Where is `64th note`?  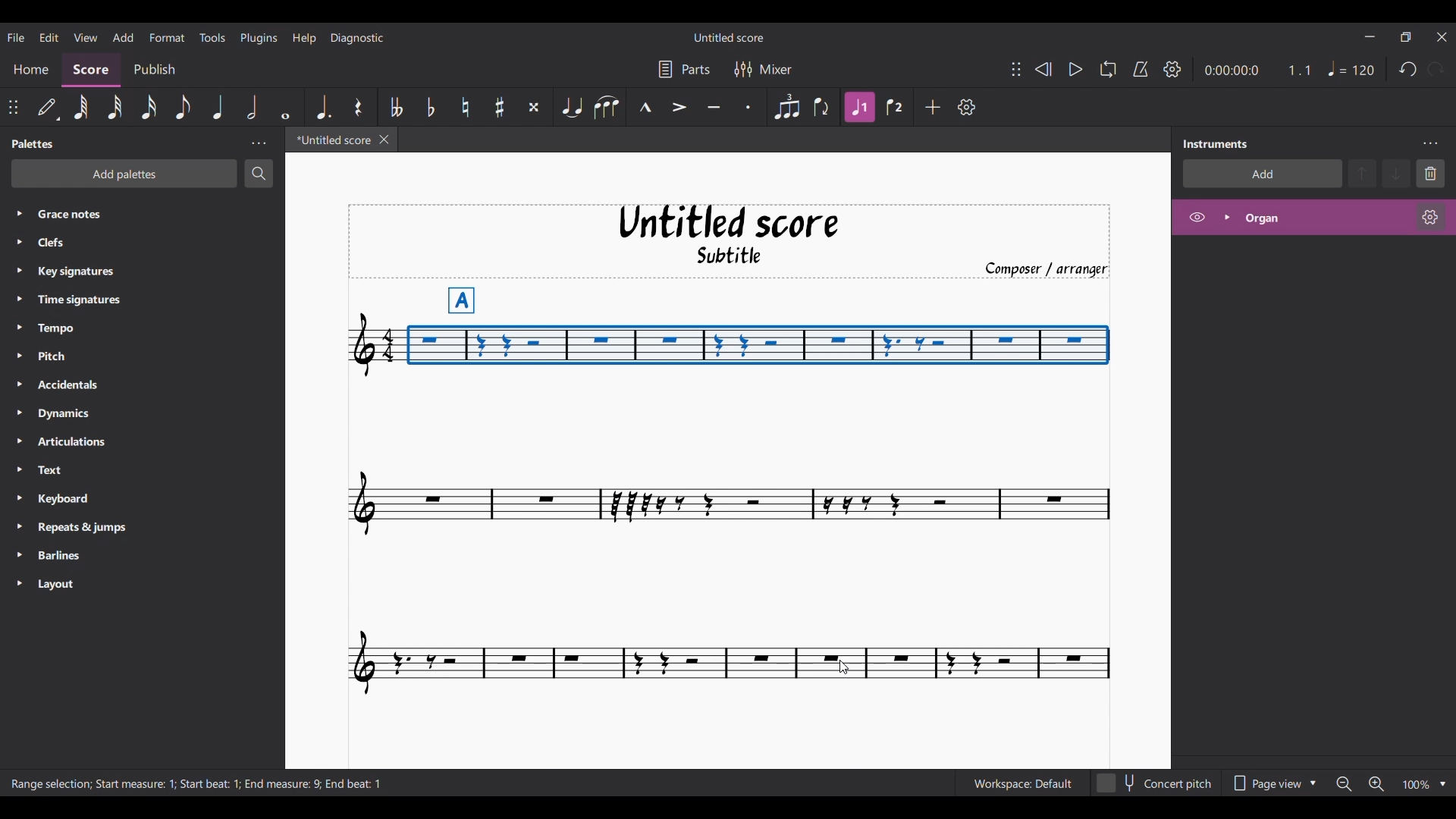
64th note is located at coordinates (81, 107).